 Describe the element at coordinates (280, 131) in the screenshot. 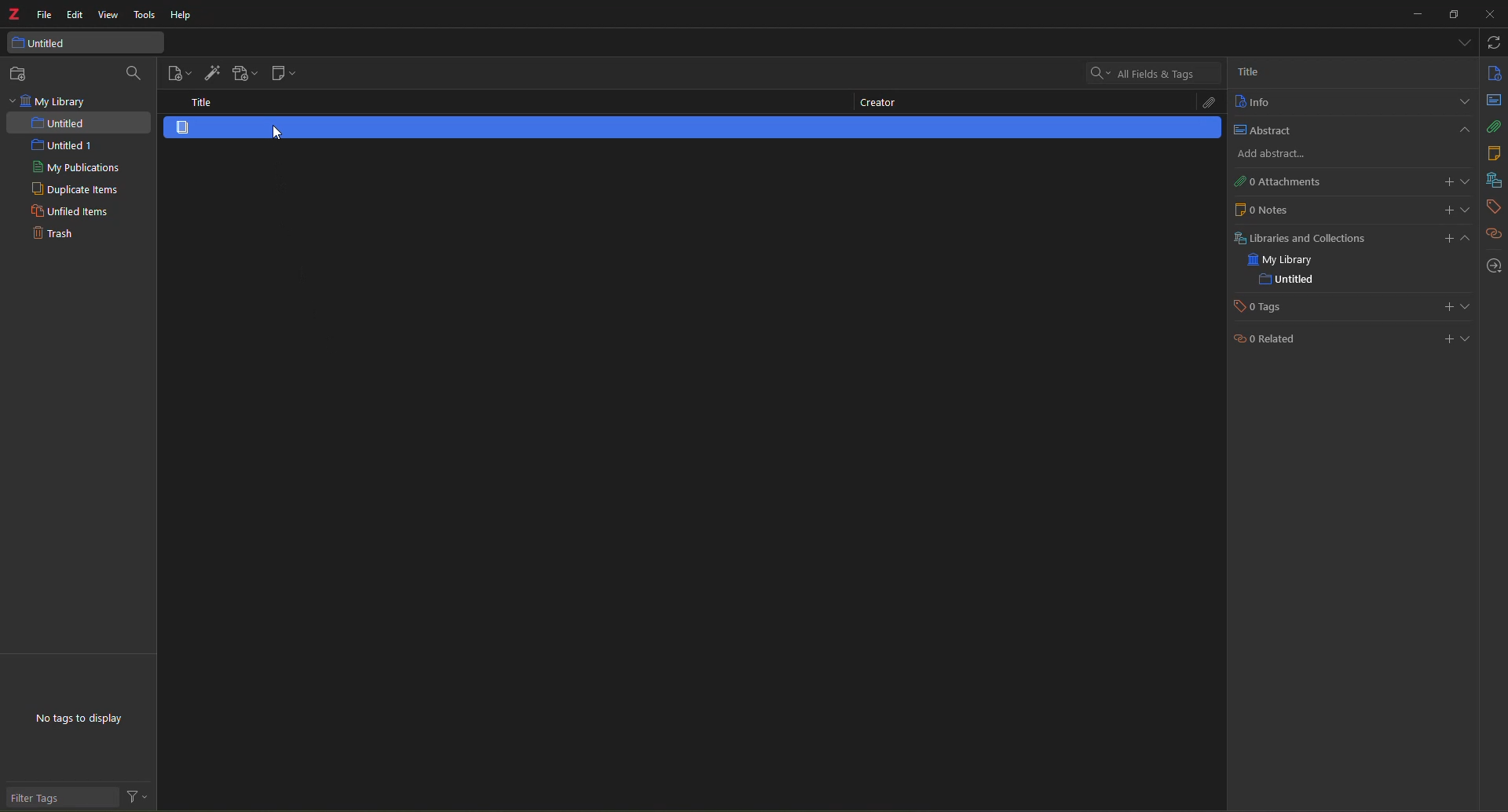

I see `cursor` at that location.